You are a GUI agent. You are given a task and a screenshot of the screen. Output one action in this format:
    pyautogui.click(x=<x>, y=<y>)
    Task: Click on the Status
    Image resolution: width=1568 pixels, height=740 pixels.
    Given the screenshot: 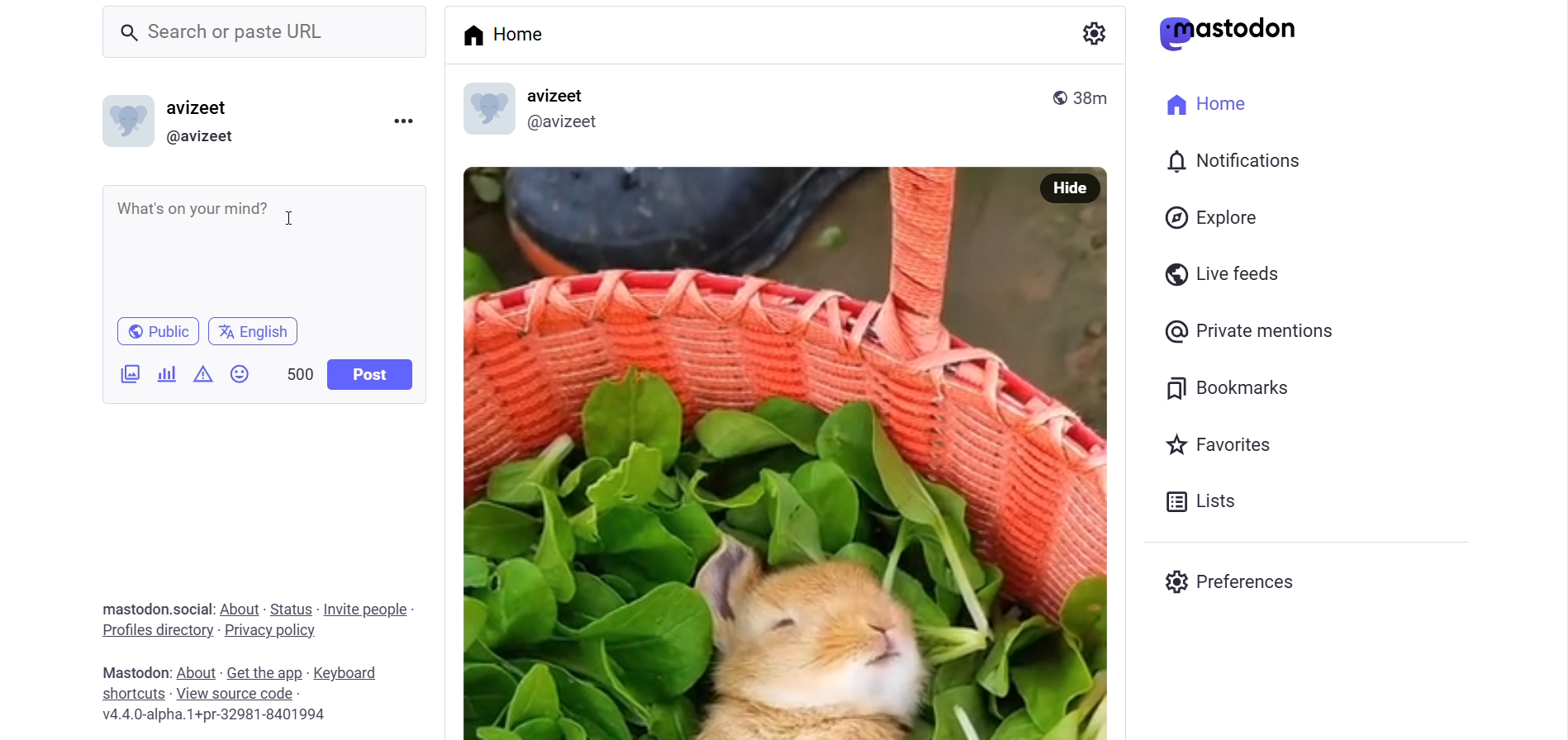 What is the action you would take?
    pyautogui.click(x=292, y=610)
    